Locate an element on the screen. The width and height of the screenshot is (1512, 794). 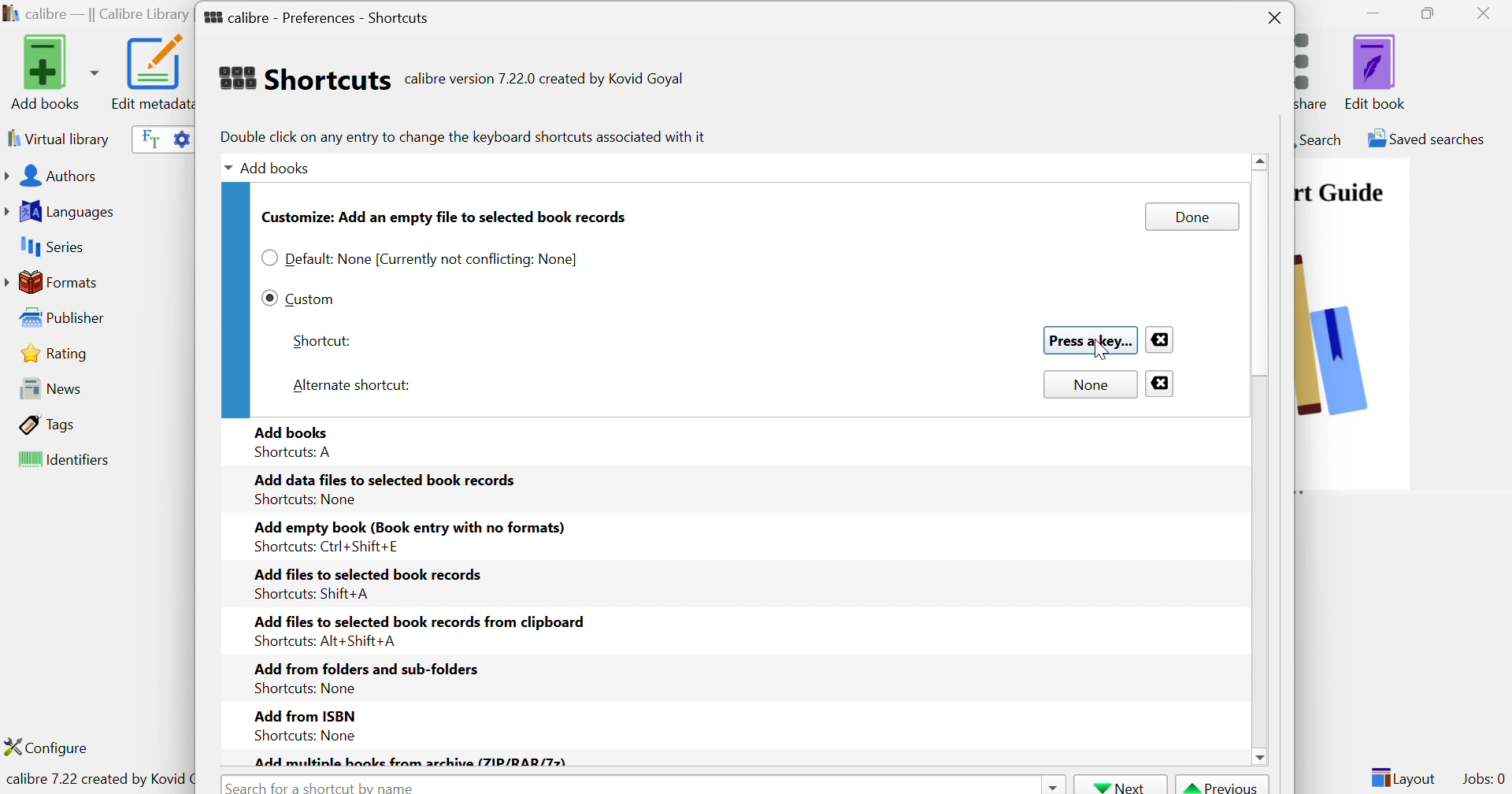
Add files to selected book records is located at coordinates (369, 573).